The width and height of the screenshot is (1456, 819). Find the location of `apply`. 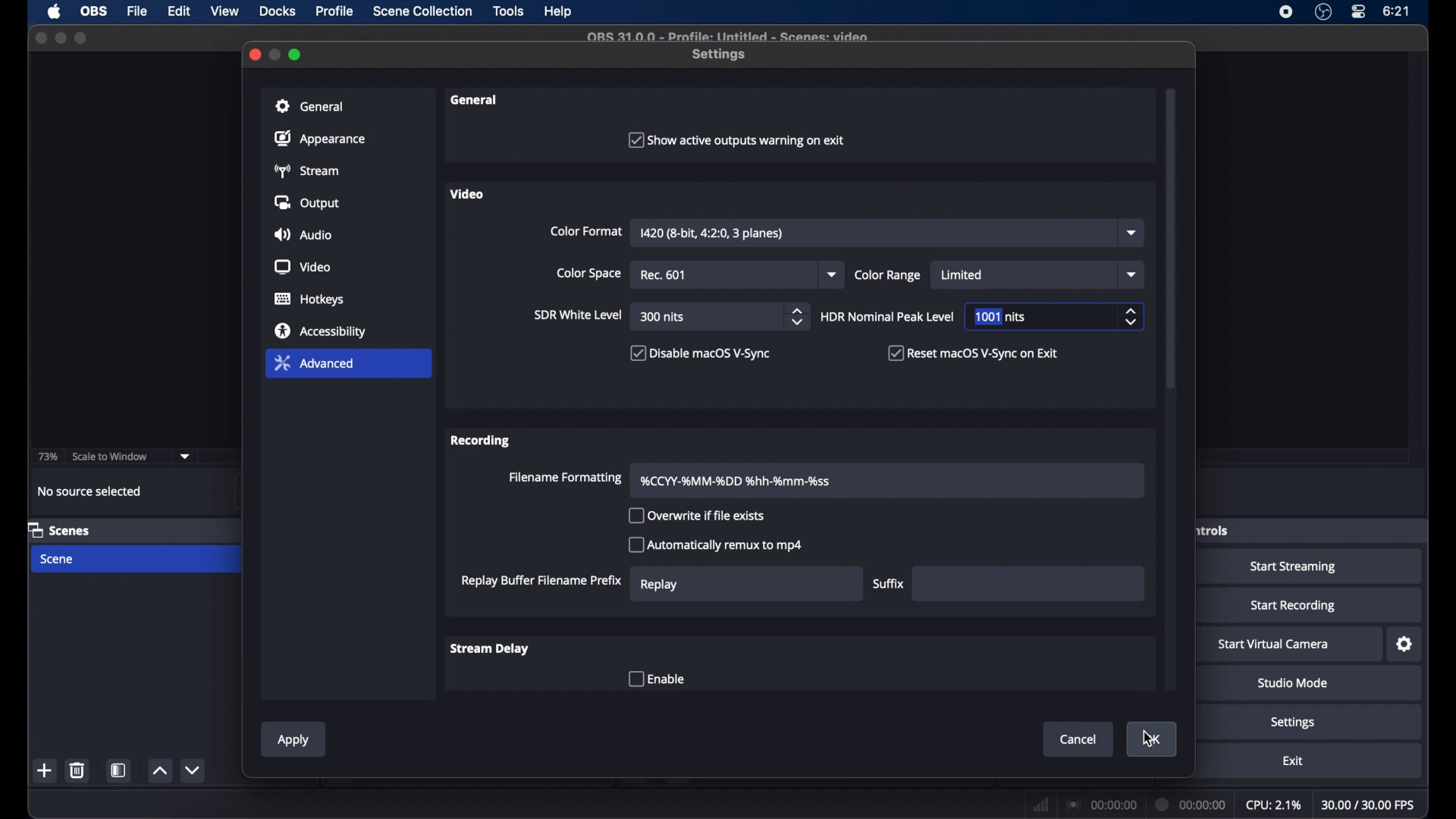

apply is located at coordinates (293, 741).